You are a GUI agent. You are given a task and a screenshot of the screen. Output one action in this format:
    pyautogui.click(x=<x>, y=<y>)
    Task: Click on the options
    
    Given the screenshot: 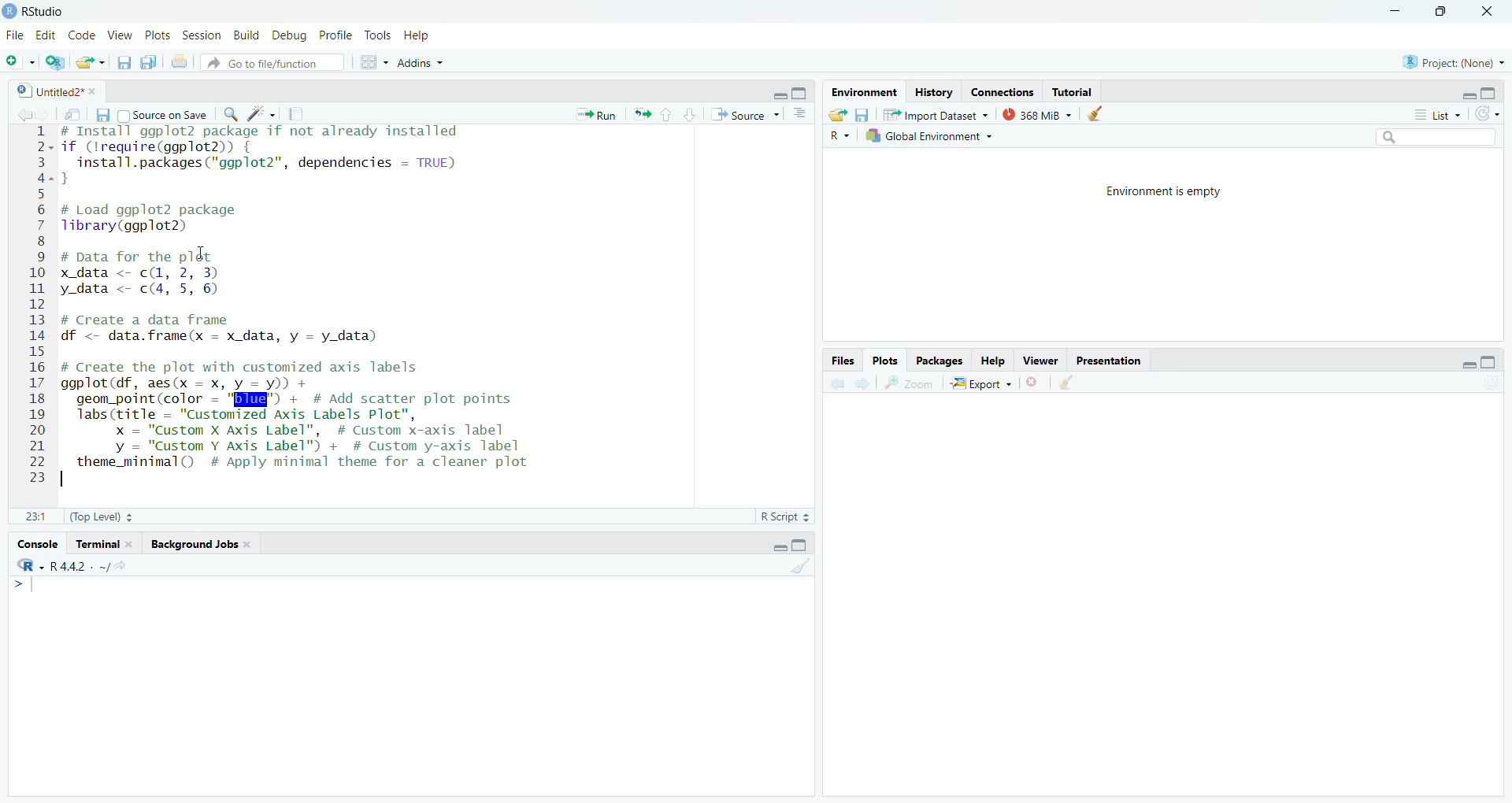 What is the action you would take?
    pyautogui.click(x=799, y=115)
    